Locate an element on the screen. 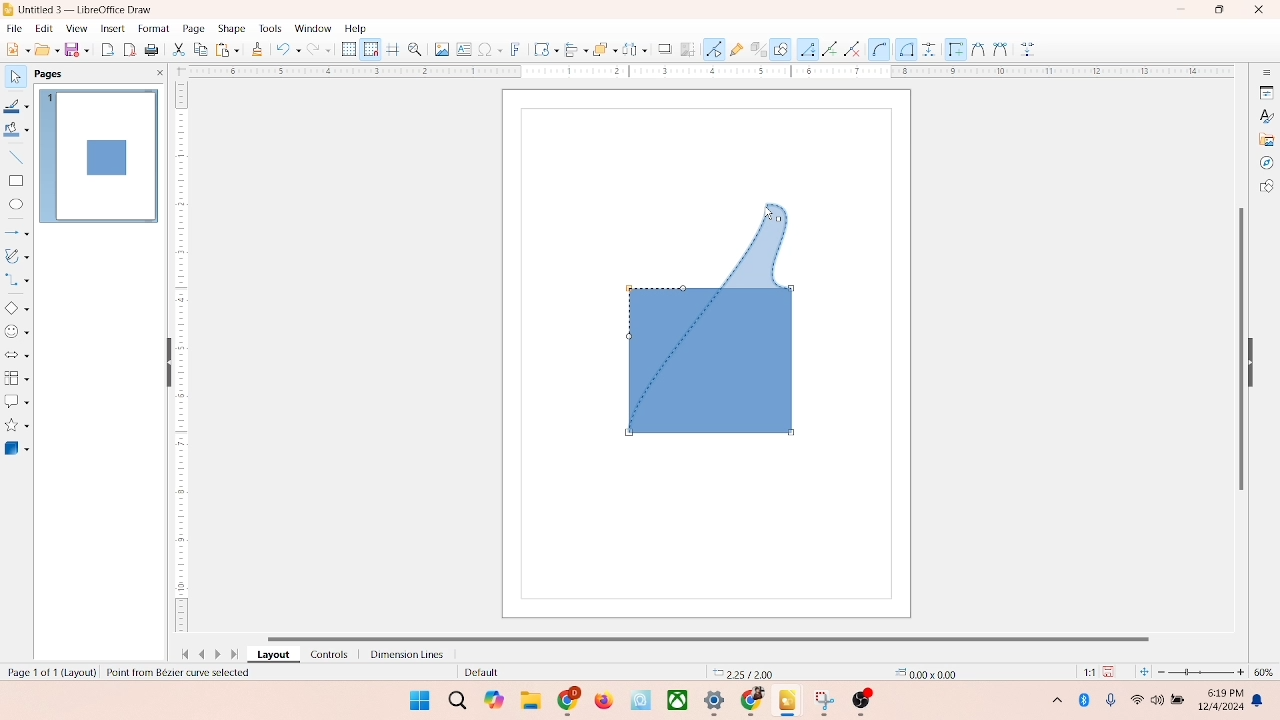 The image size is (1280, 720). Dimension line tool is located at coordinates (929, 49).